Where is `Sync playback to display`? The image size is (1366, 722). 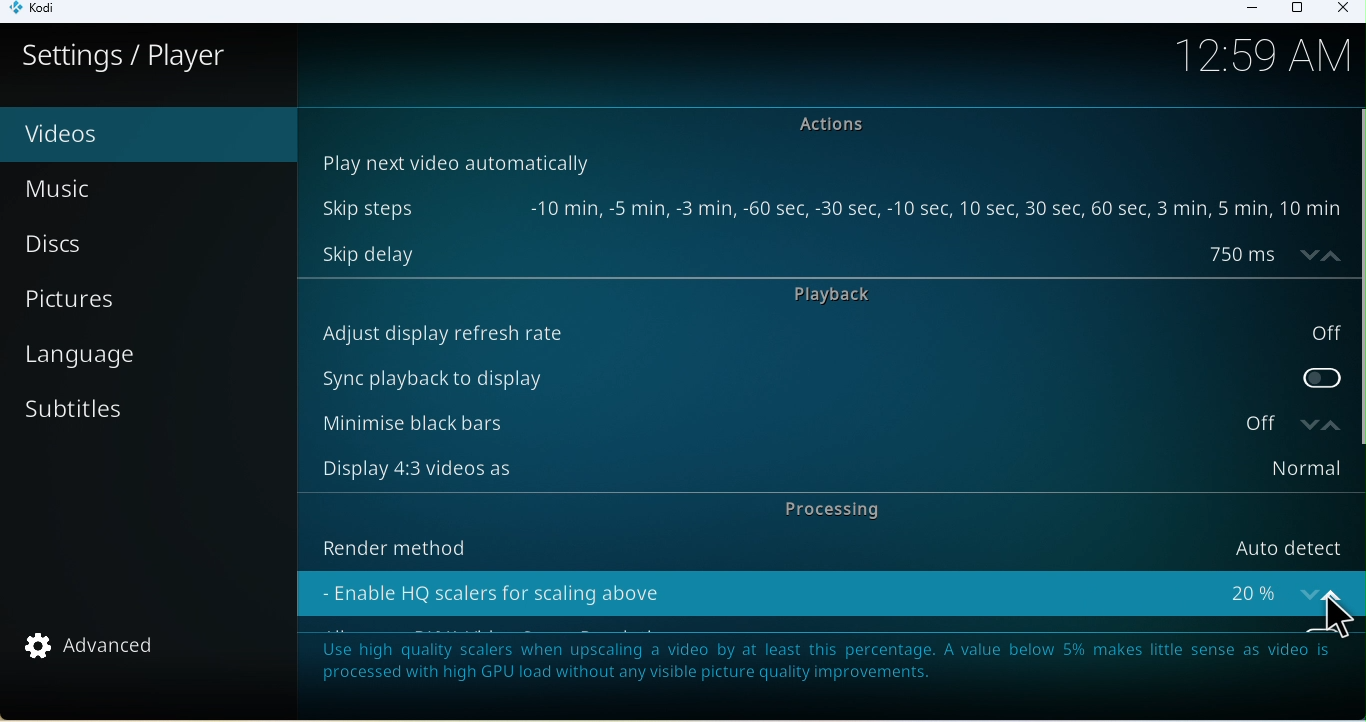
Sync playback to display is located at coordinates (829, 374).